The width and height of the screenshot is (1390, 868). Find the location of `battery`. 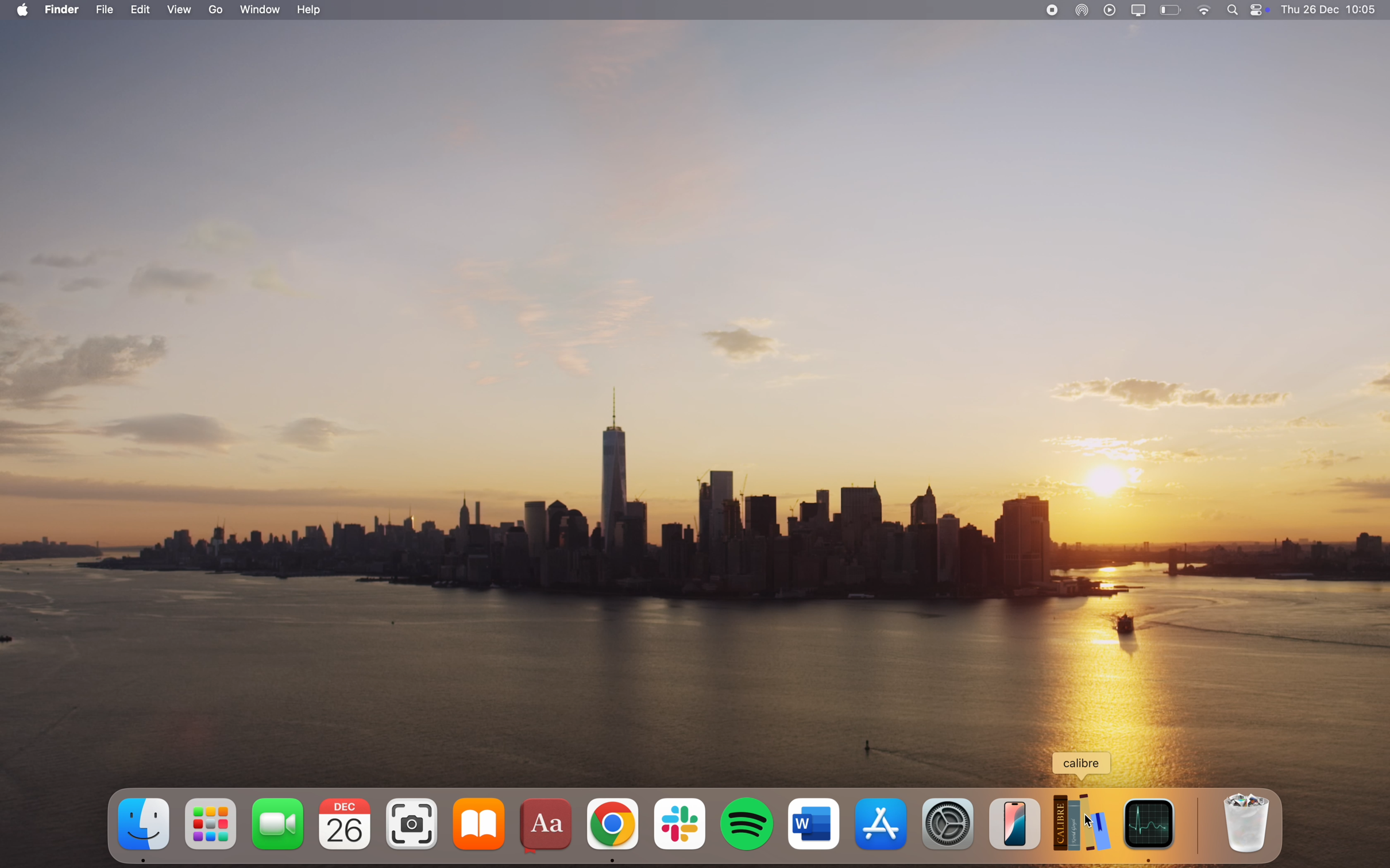

battery is located at coordinates (1171, 10).